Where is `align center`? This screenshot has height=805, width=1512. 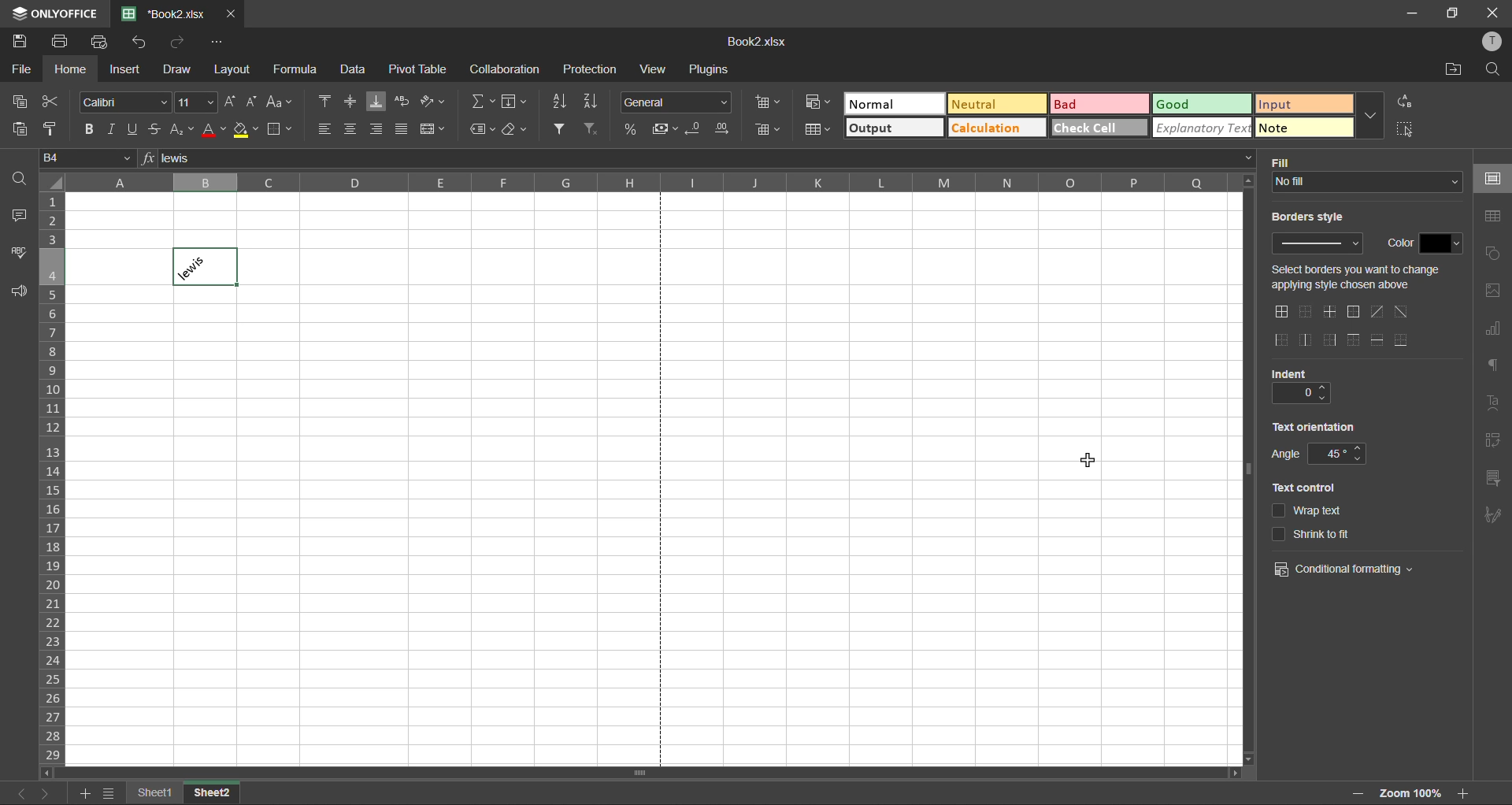
align center is located at coordinates (354, 128).